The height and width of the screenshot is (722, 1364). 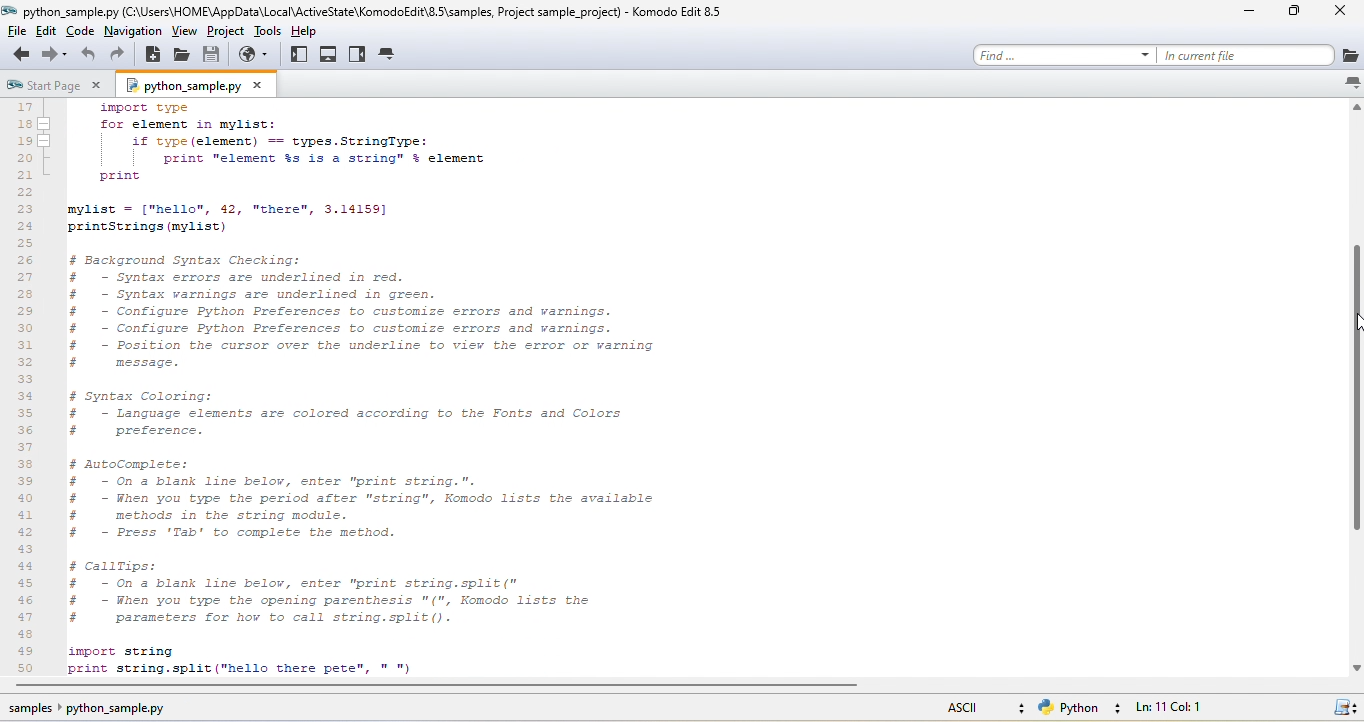 What do you see at coordinates (71, 11) in the screenshot?
I see `opened file name` at bounding box center [71, 11].